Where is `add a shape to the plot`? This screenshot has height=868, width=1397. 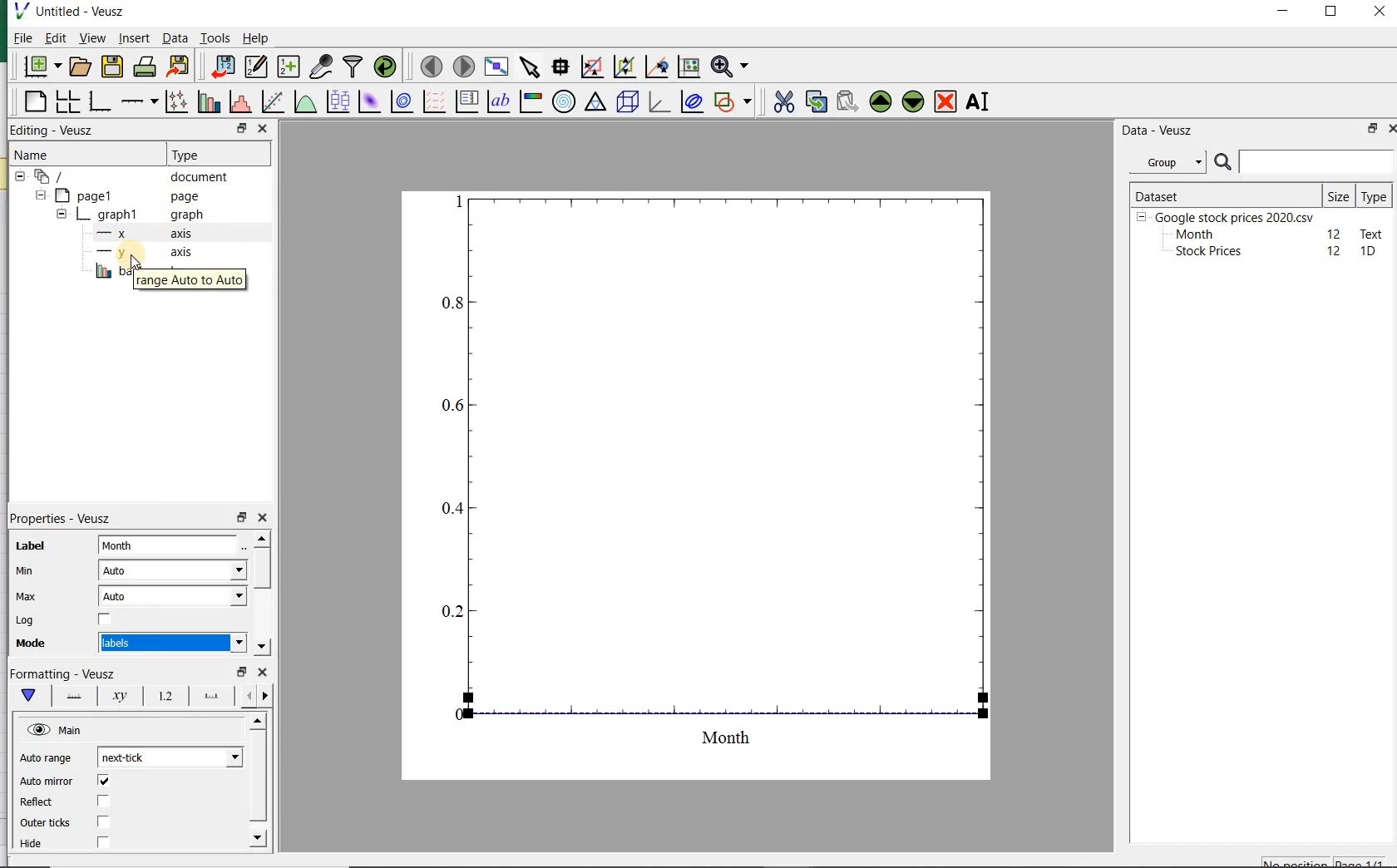
add a shape to the plot is located at coordinates (733, 102).